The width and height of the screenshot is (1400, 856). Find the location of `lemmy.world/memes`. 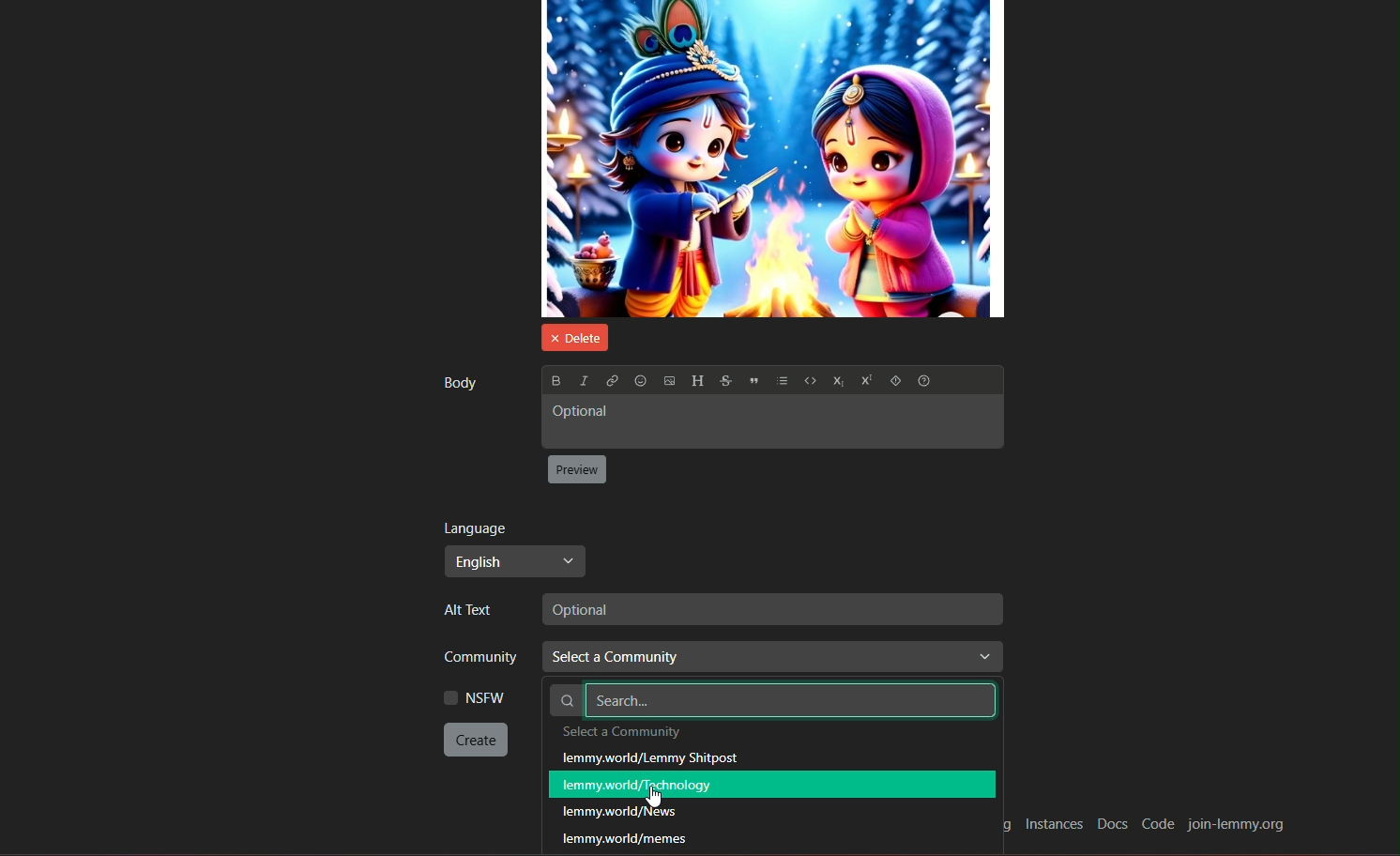

lemmy.world/memes is located at coordinates (633, 838).